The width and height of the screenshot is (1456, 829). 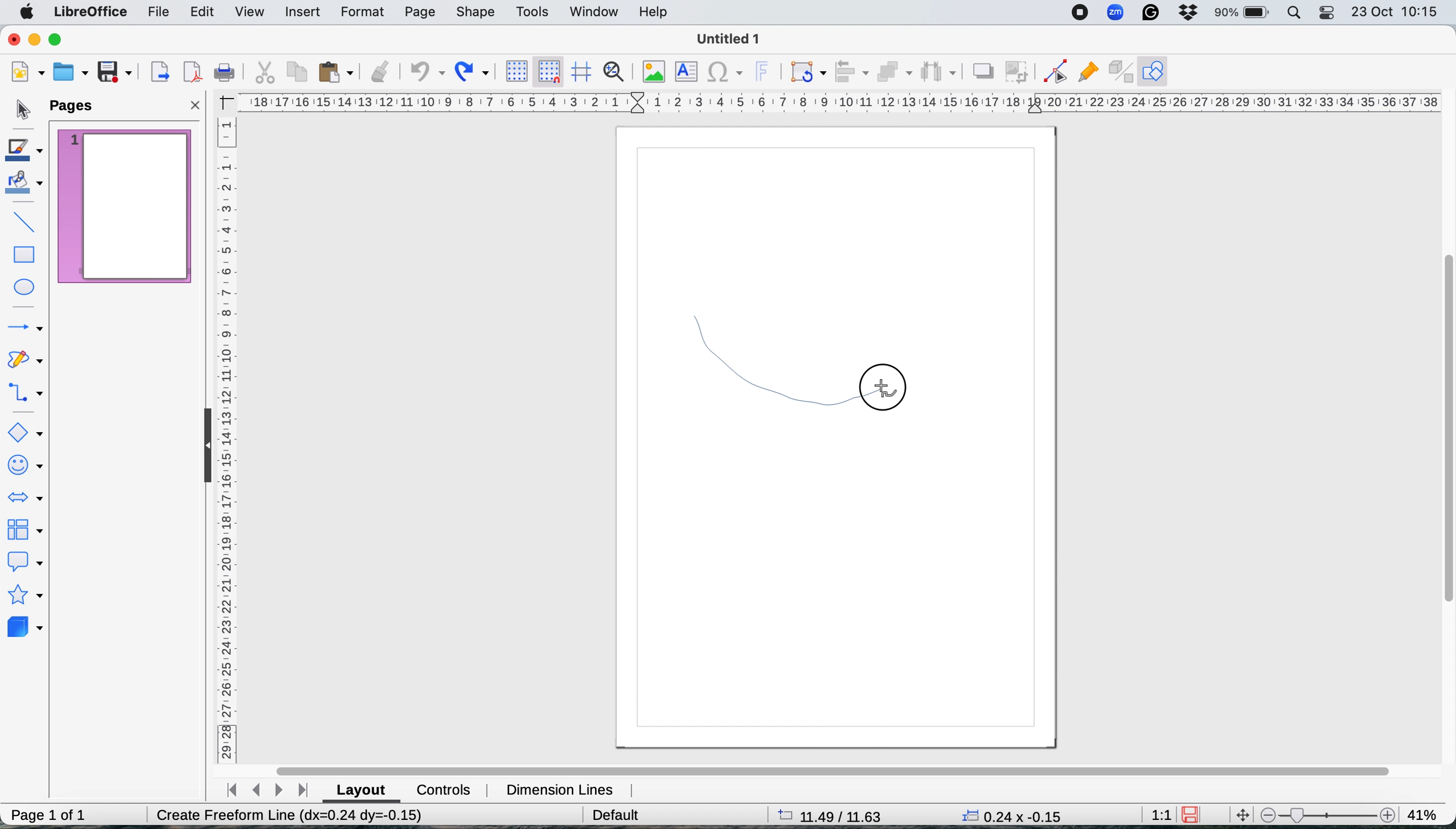 What do you see at coordinates (689, 72) in the screenshot?
I see `insert text` at bounding box center [689, 72].